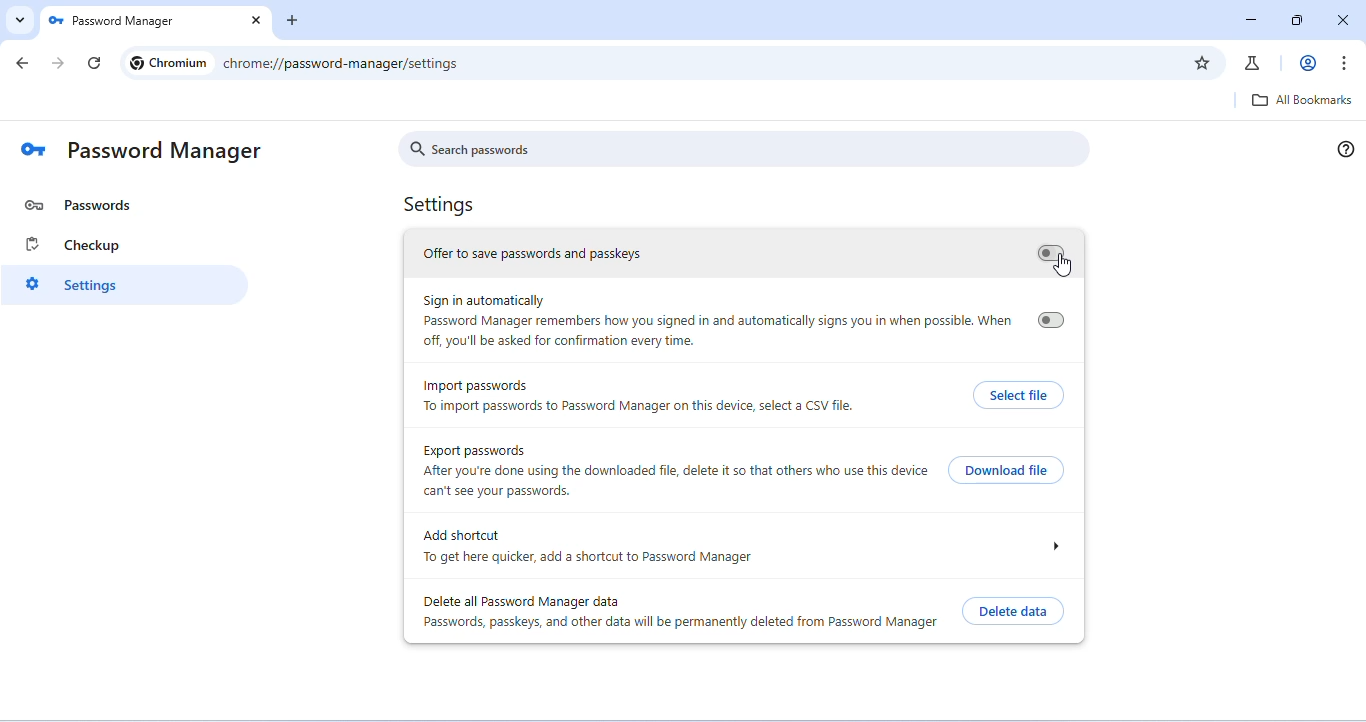 The image size is (1366, 722). What do you see at coordinates (642, 407) in the screenshot?
I see `To import passwords to Password Manager on this device, select a CSV file.` at bounding box center [642, 407].